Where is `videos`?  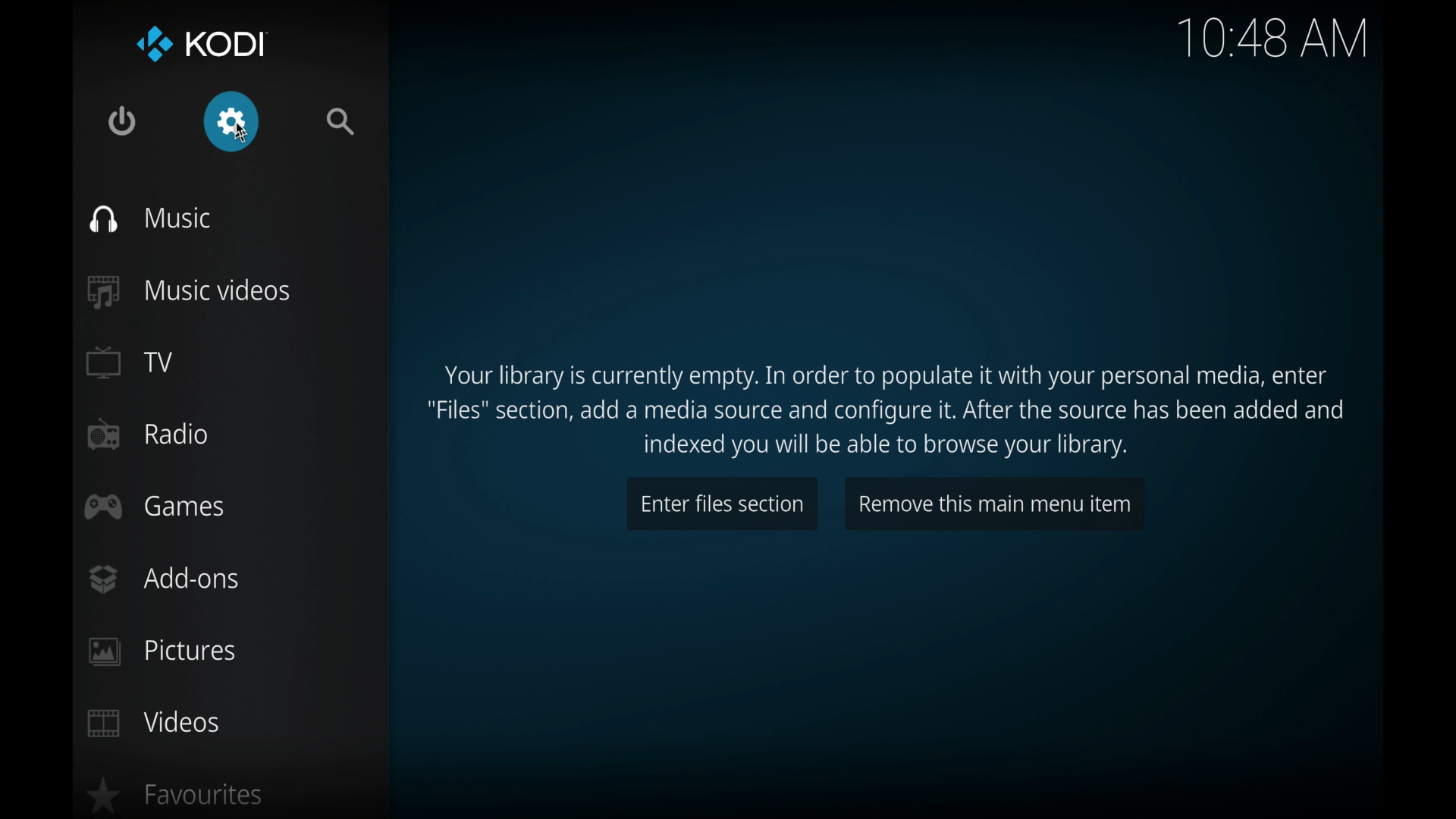 videos is located at coordinates (153, 723).